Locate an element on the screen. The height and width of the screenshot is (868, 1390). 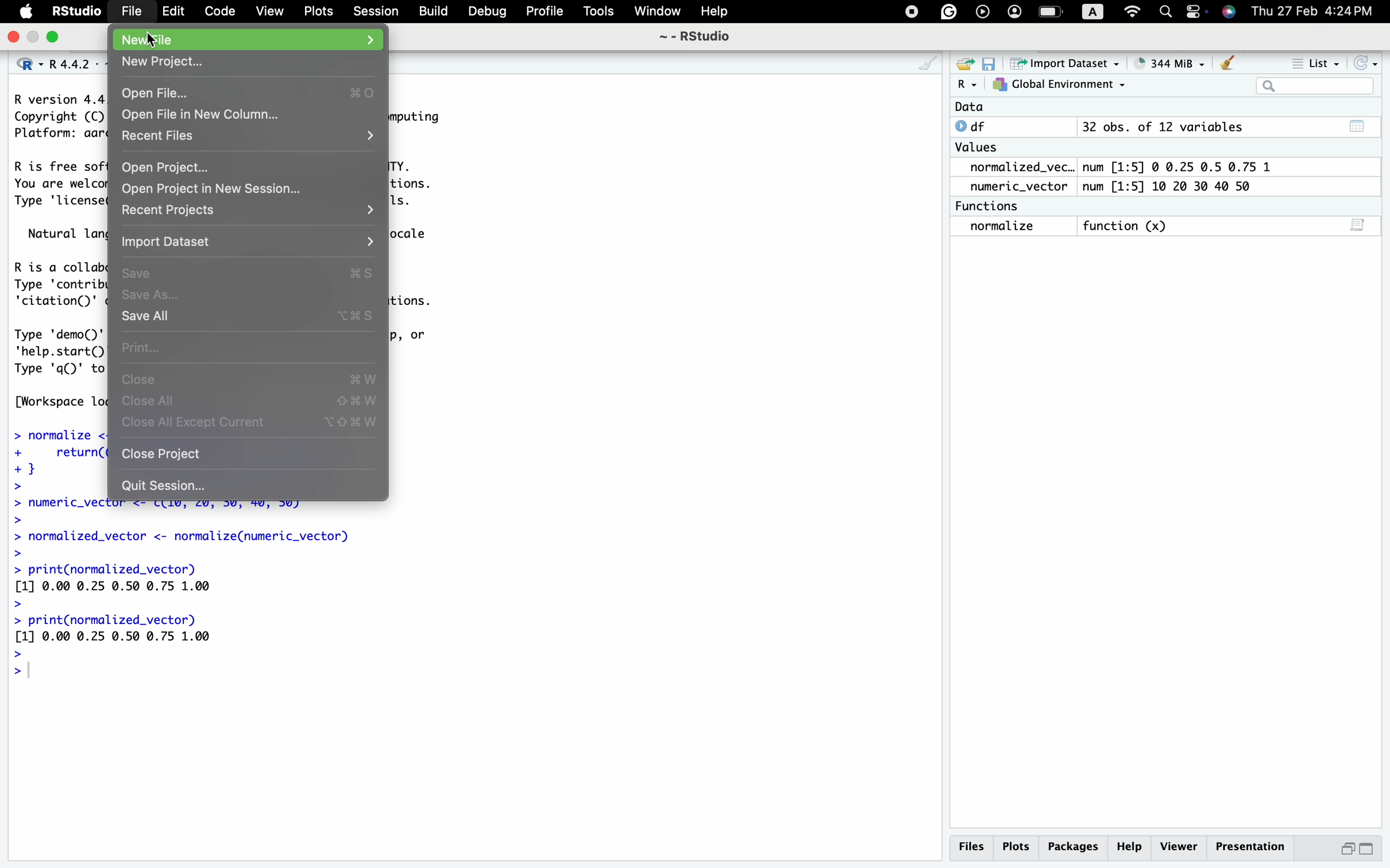
close is located at coordinates (11, 38).